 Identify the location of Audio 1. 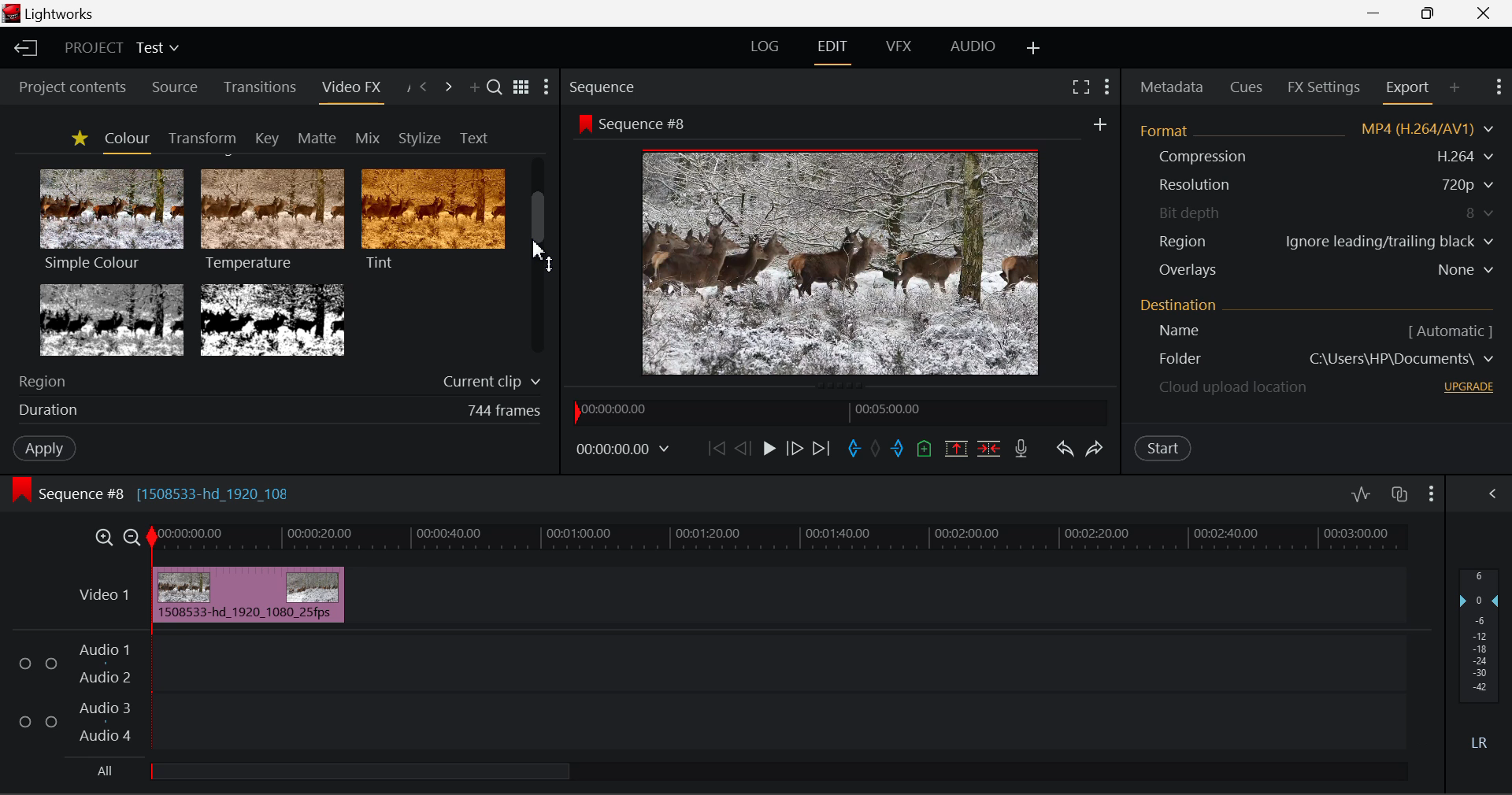
(102, 651).